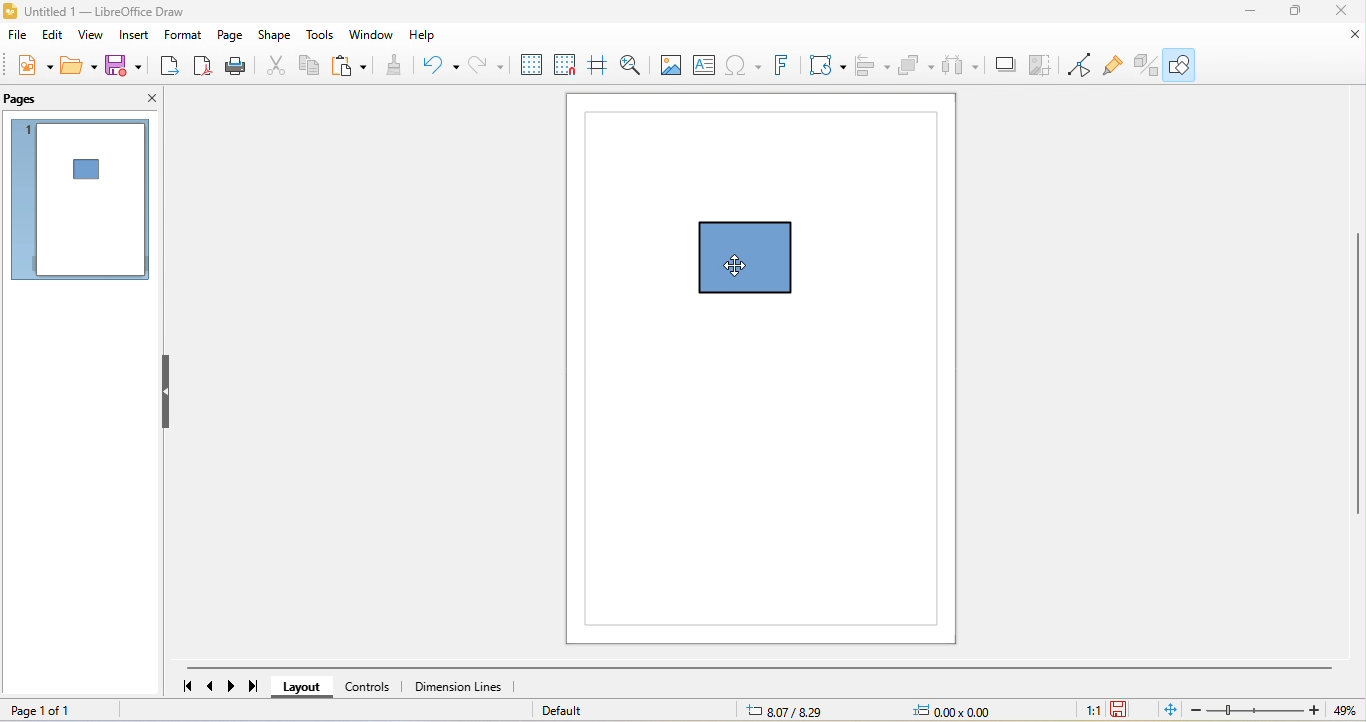  Describe the element at coordinates (963, 66) in the screenshot. I see `select at least three object to distribute` at that location.